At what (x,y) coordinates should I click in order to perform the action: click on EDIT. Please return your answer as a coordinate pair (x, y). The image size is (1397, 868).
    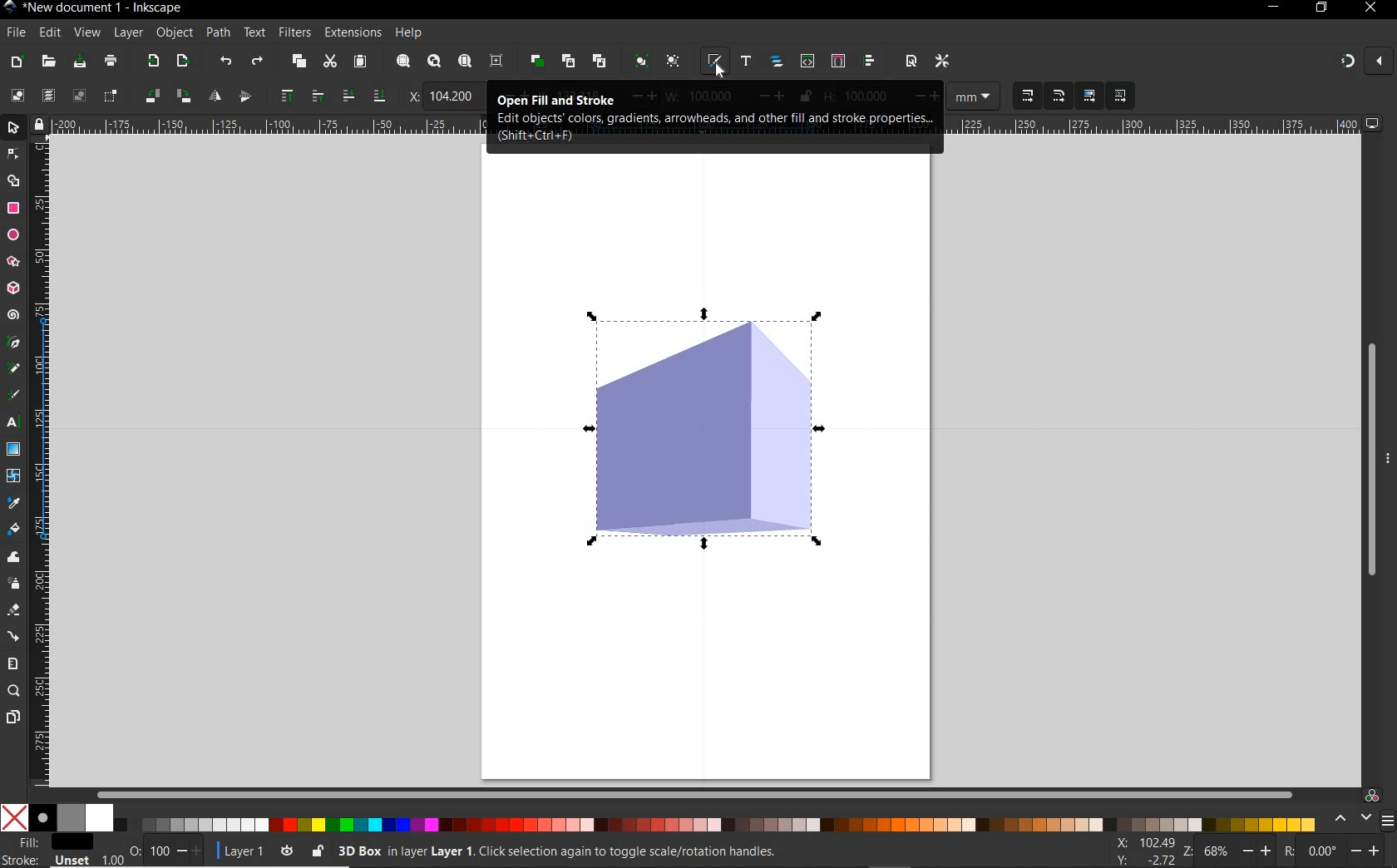
    Looking at the image, I should click on (48, 31).